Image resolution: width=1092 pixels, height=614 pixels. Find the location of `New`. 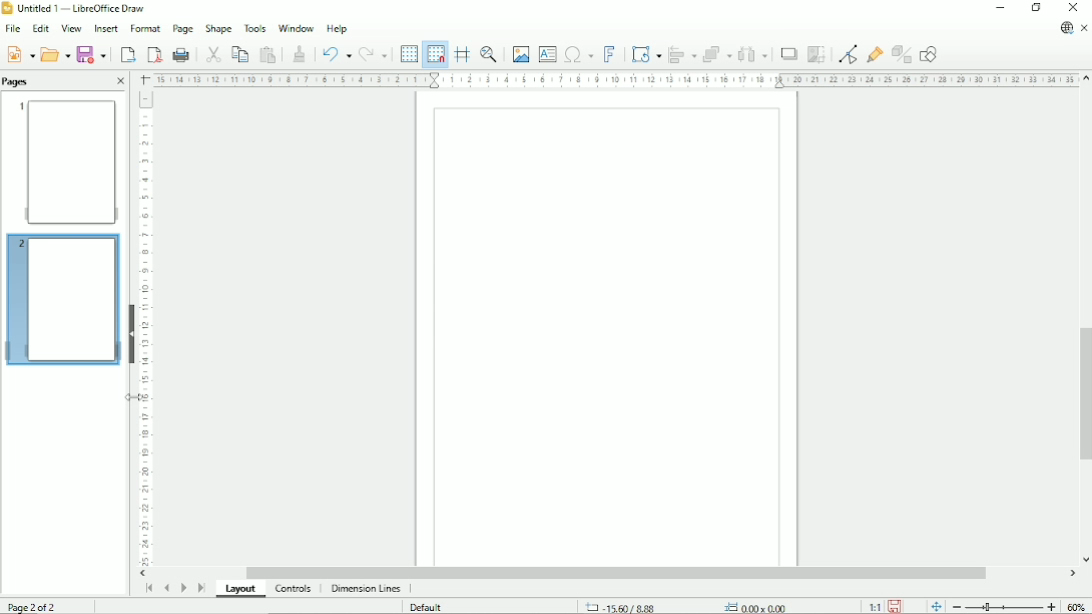

New is located at coordinates (19, 53).